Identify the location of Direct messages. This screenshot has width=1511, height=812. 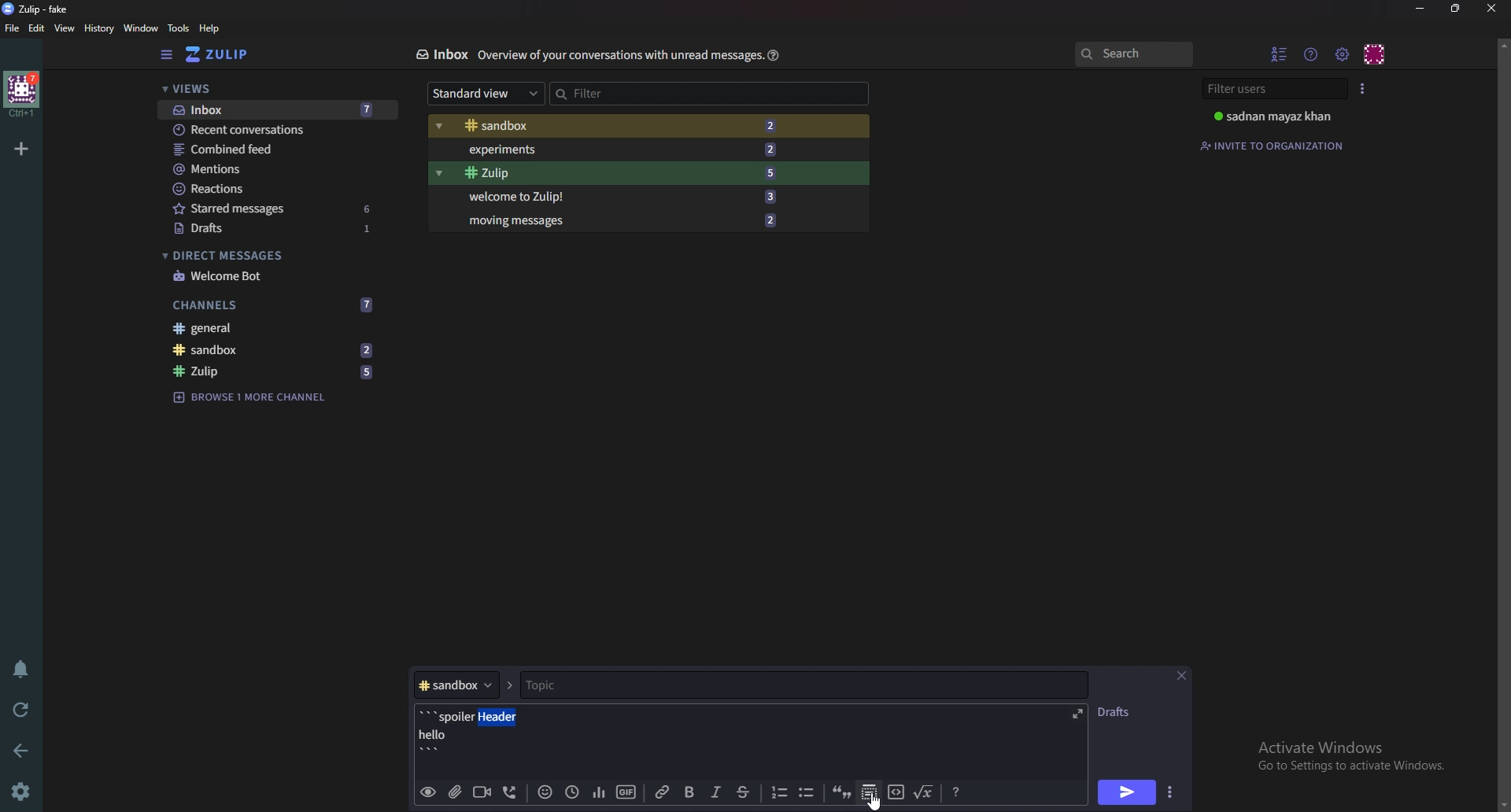
(269, 254).